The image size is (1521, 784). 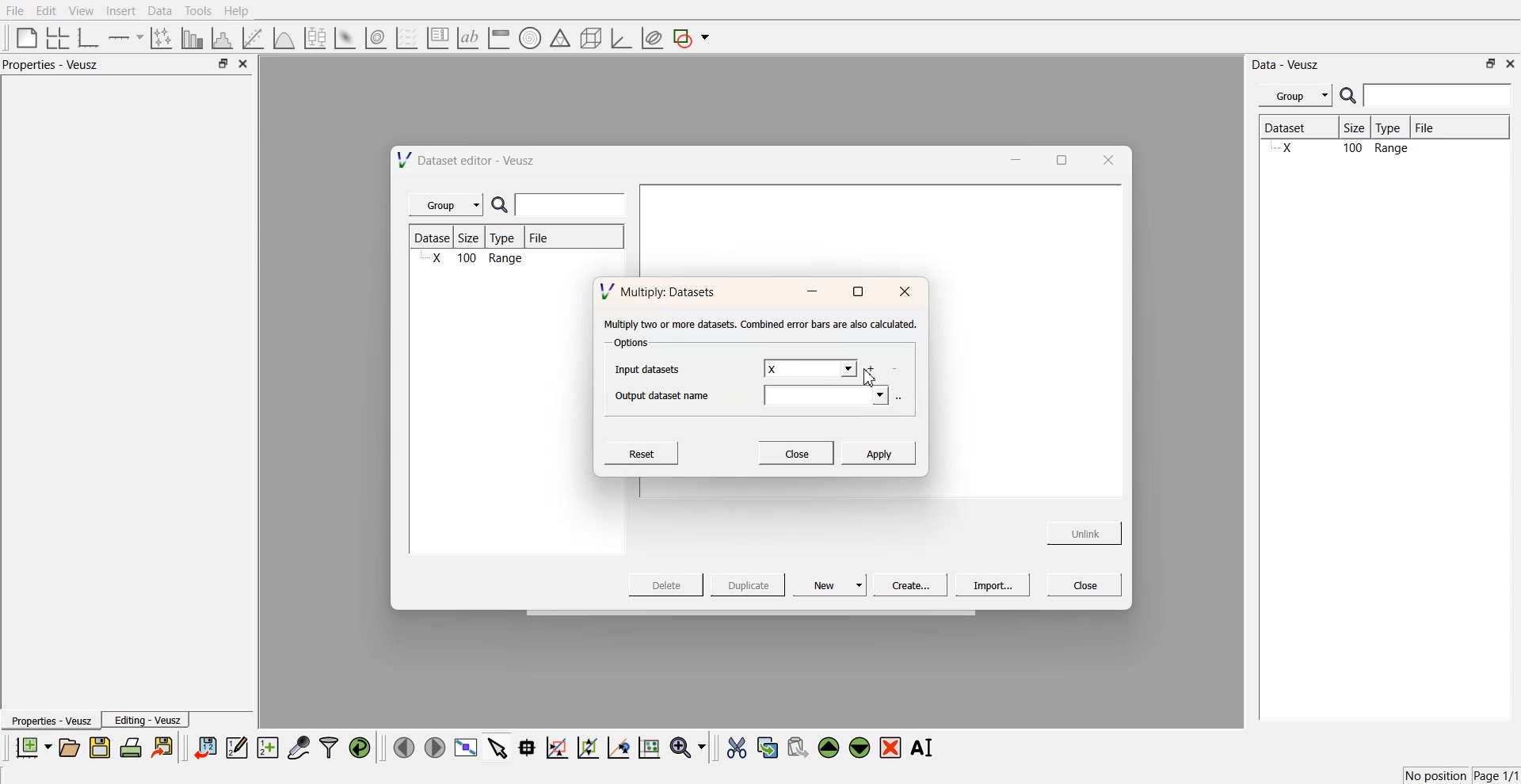 What do you see at coordinates (51, 721) in the screenshot?
I see `Properties - Veusz` at bounding box center [51, 721].